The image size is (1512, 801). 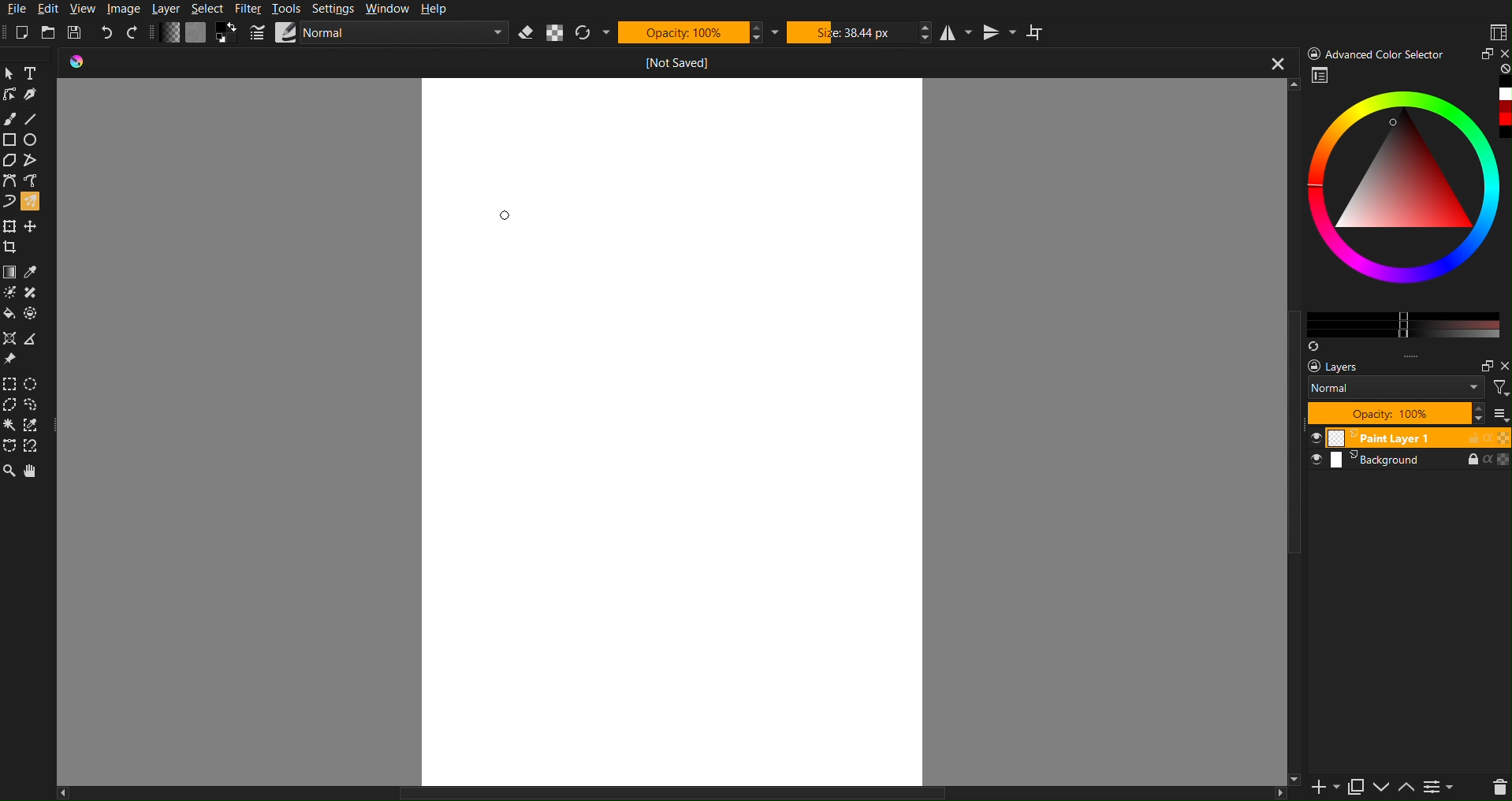 What do you see at coordinates (1321, 77) in the screenshot?
I see `workspace` at bounding box center [1321, 77].